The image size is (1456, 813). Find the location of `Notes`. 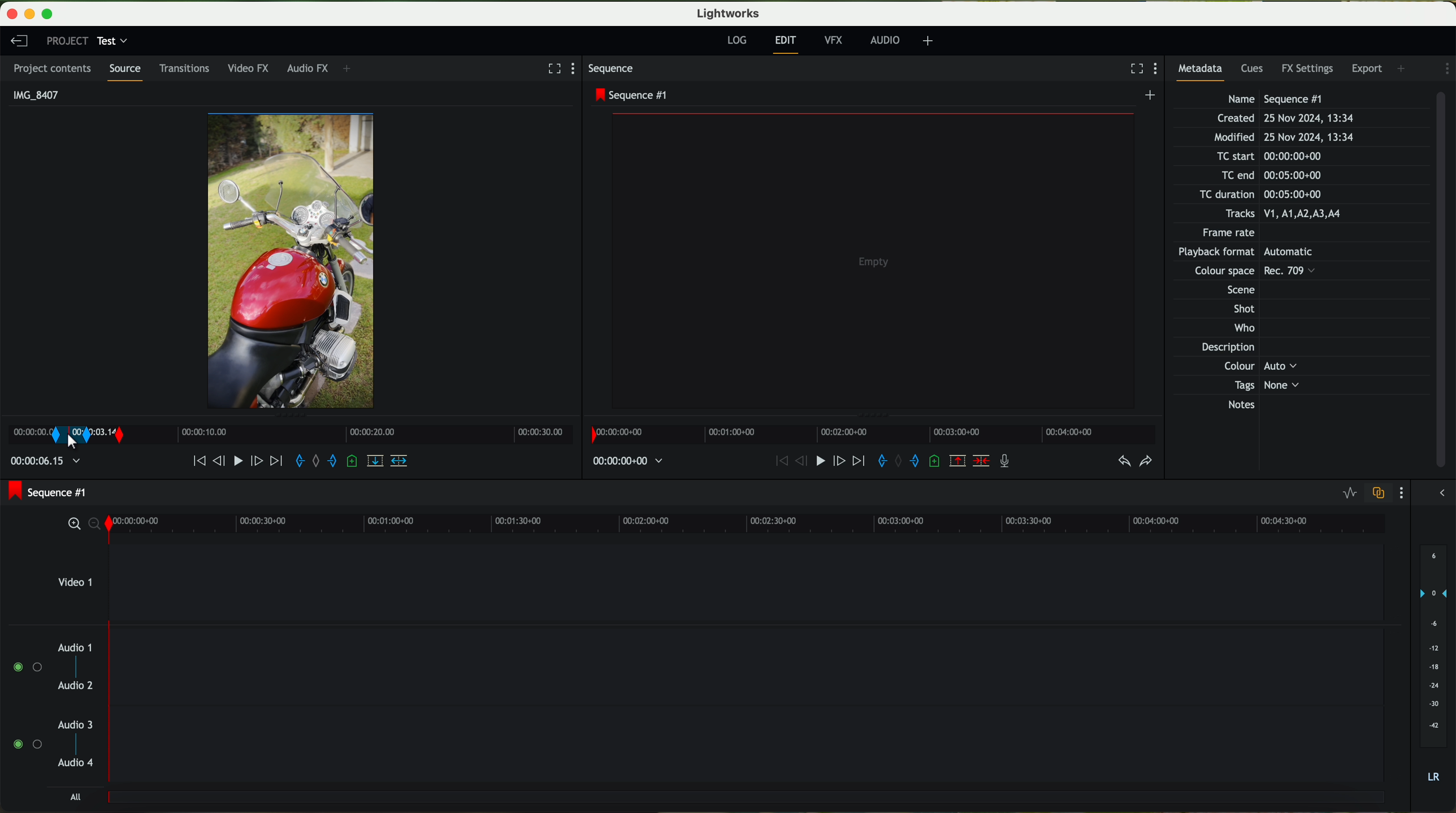

Notes is located at coordinates (1255, 405).